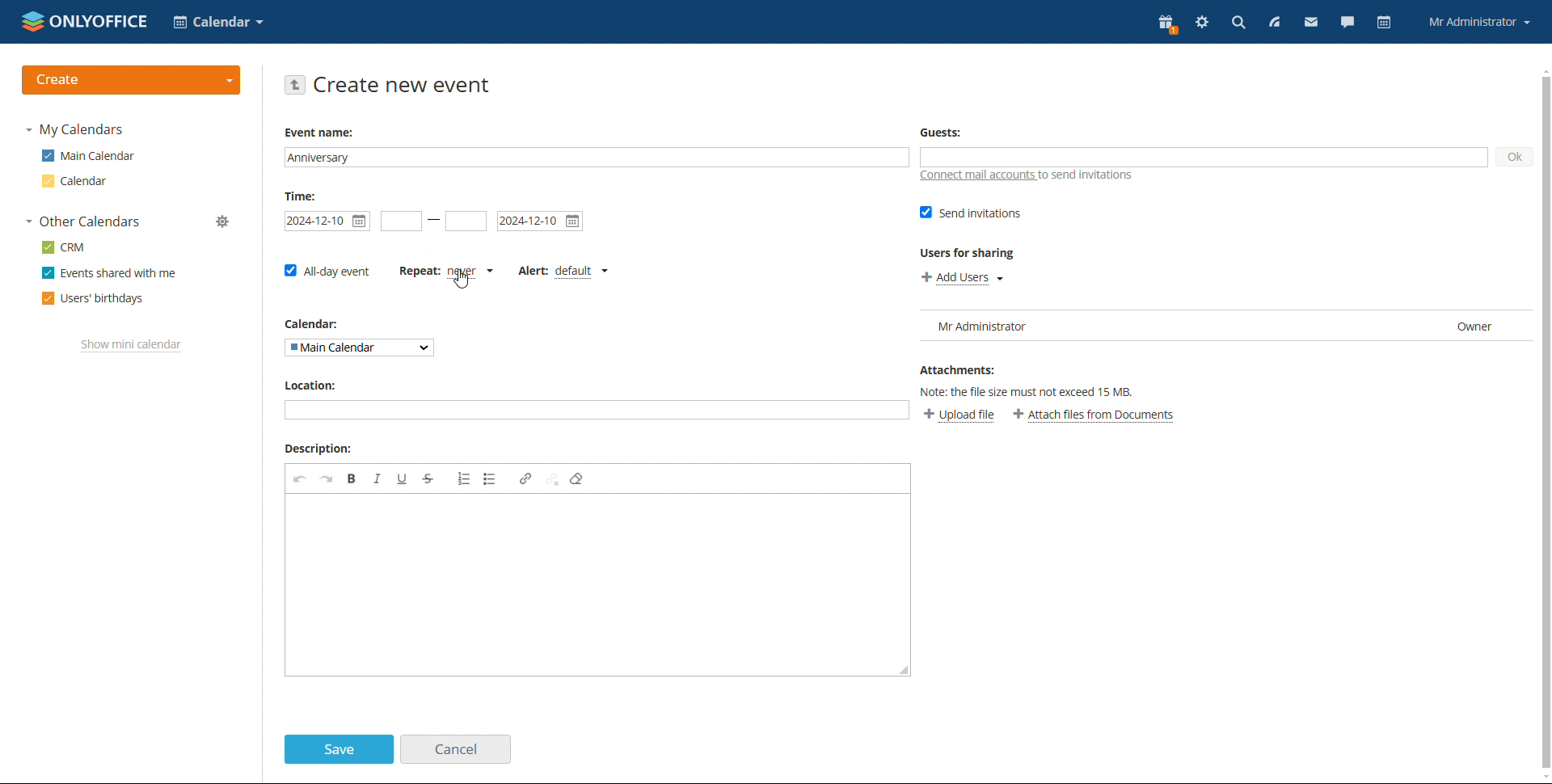 This screenshot has width=1552, height=784. I want to click on crm, so click(64, 247).